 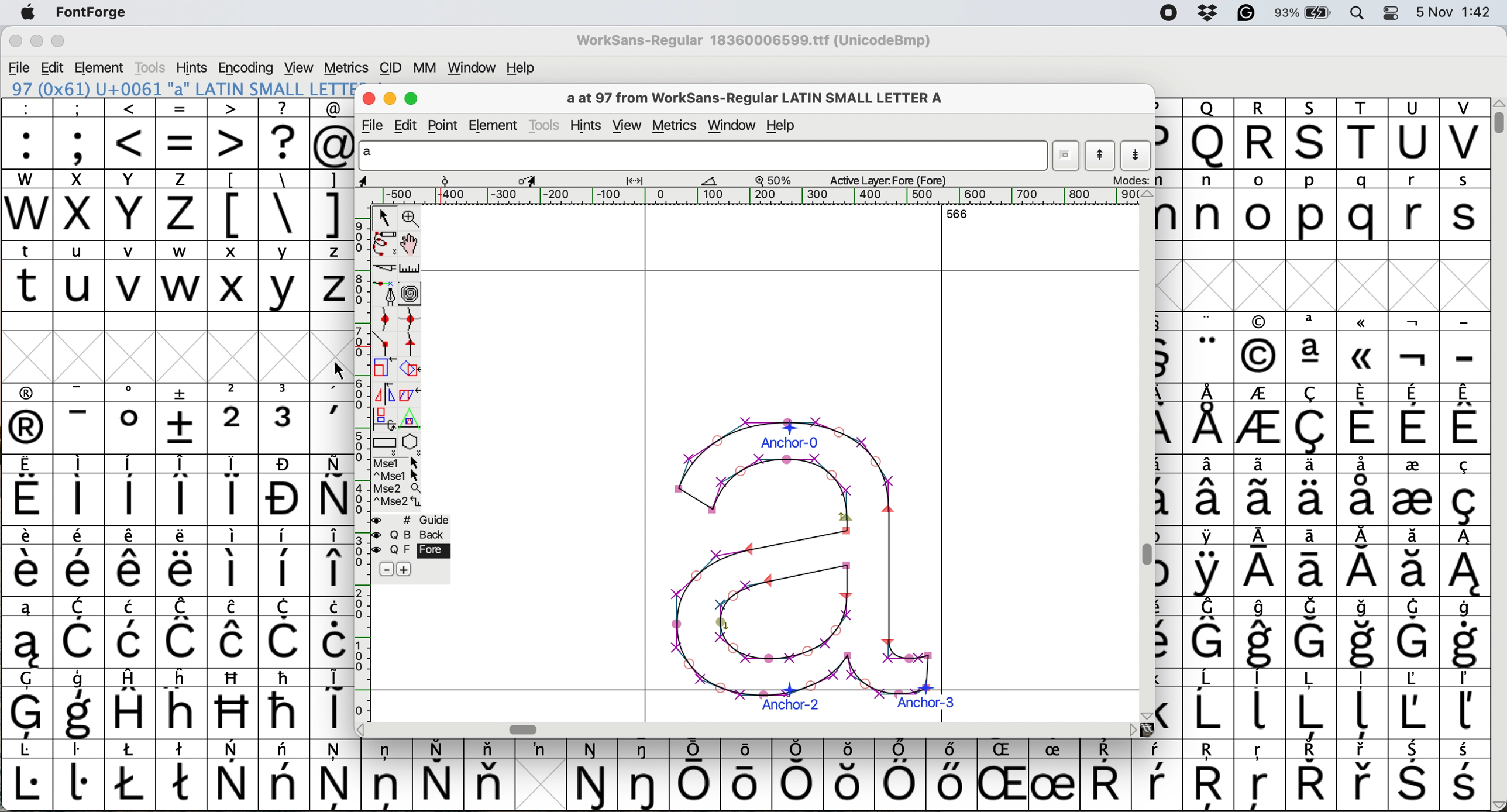 What do you see at coordinates (286, 418) in the screenshot?
I see `symbol` at bounding box center [286, 418].